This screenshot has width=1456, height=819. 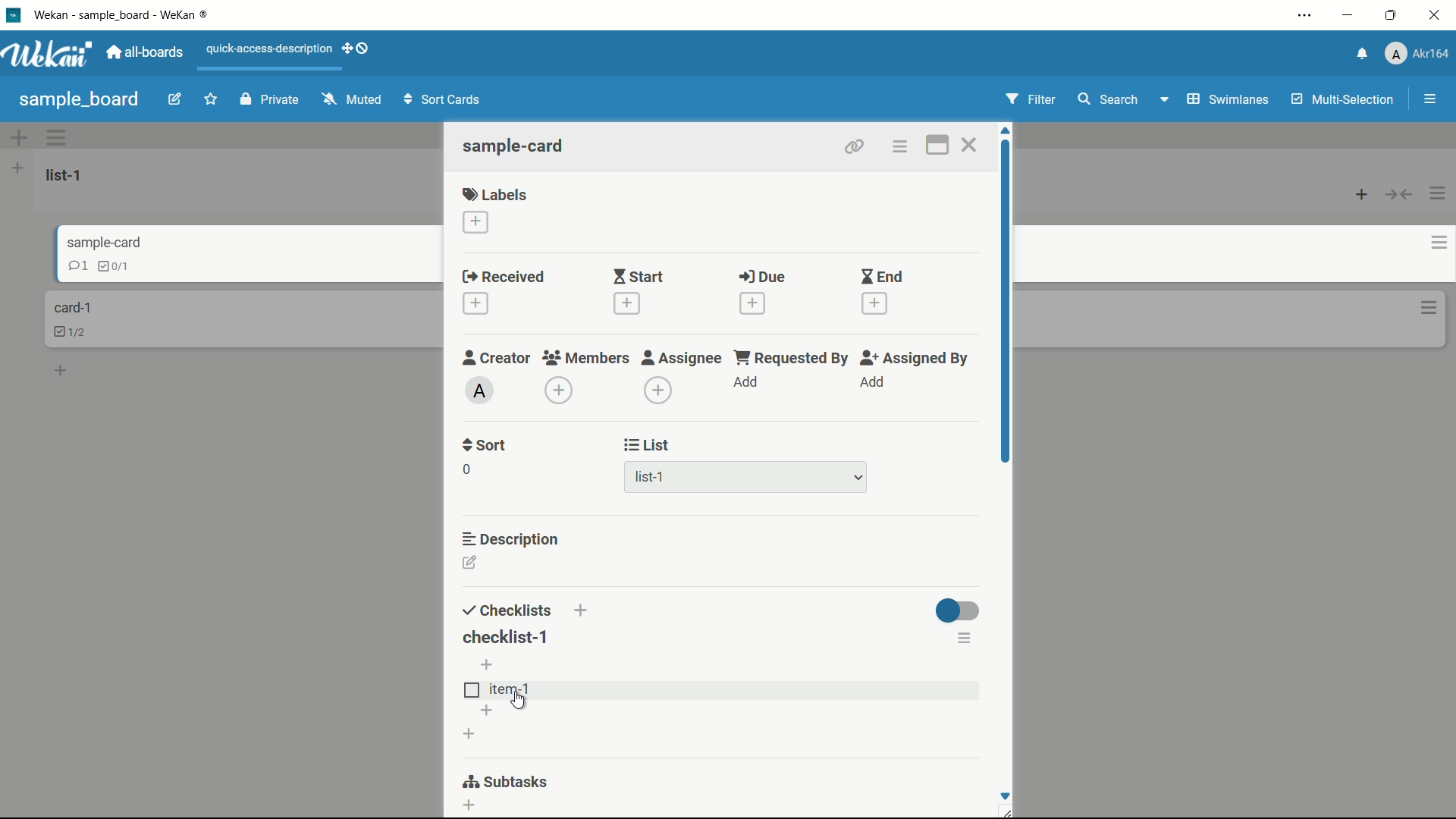 What do you see at coordinates (272, 99) in the screenshot?
I see `private` at bounding box center [272, 99].